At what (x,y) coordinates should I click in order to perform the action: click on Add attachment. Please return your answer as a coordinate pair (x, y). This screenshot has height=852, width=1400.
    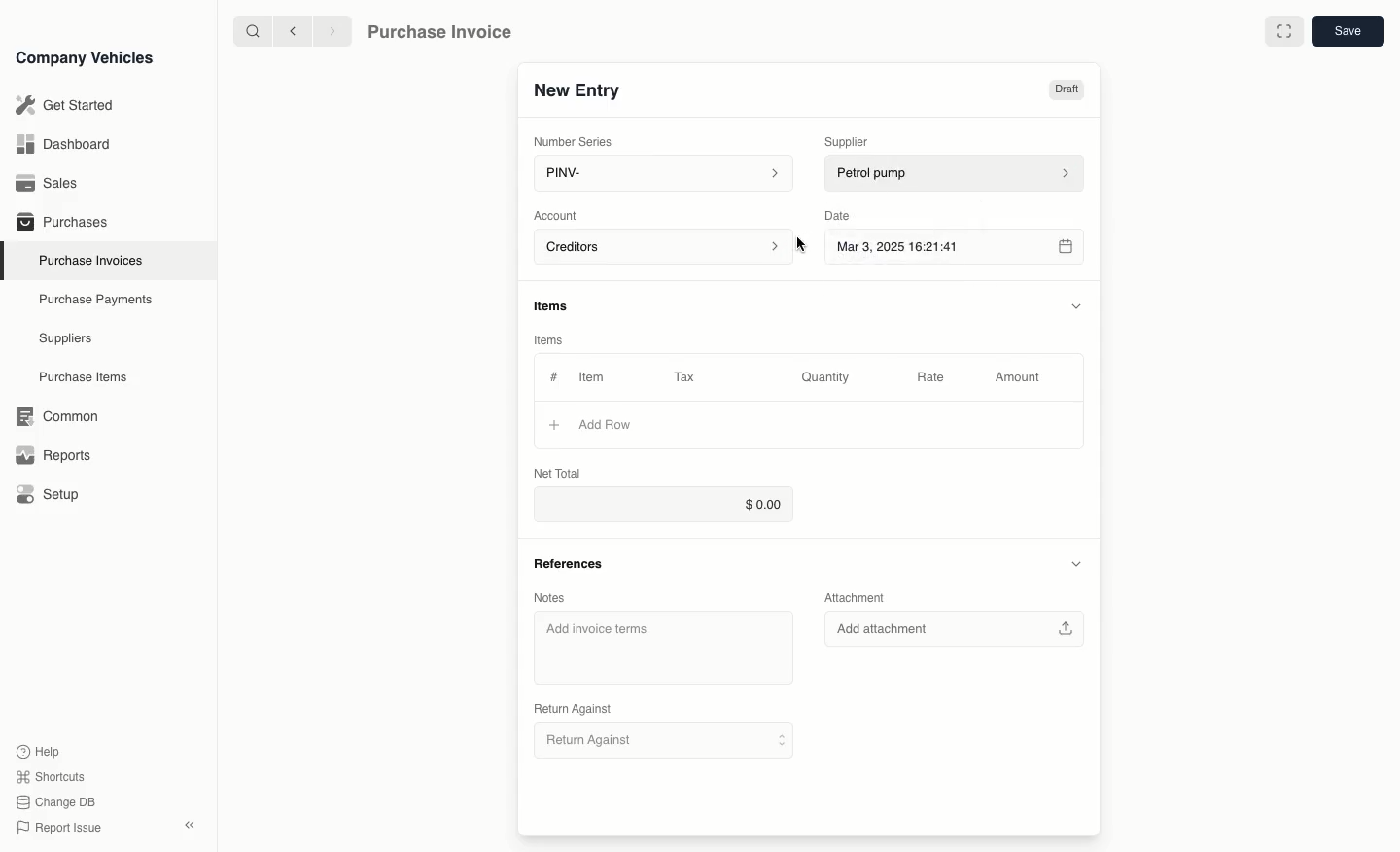
    Looking at the image, I should click on (952, 627).